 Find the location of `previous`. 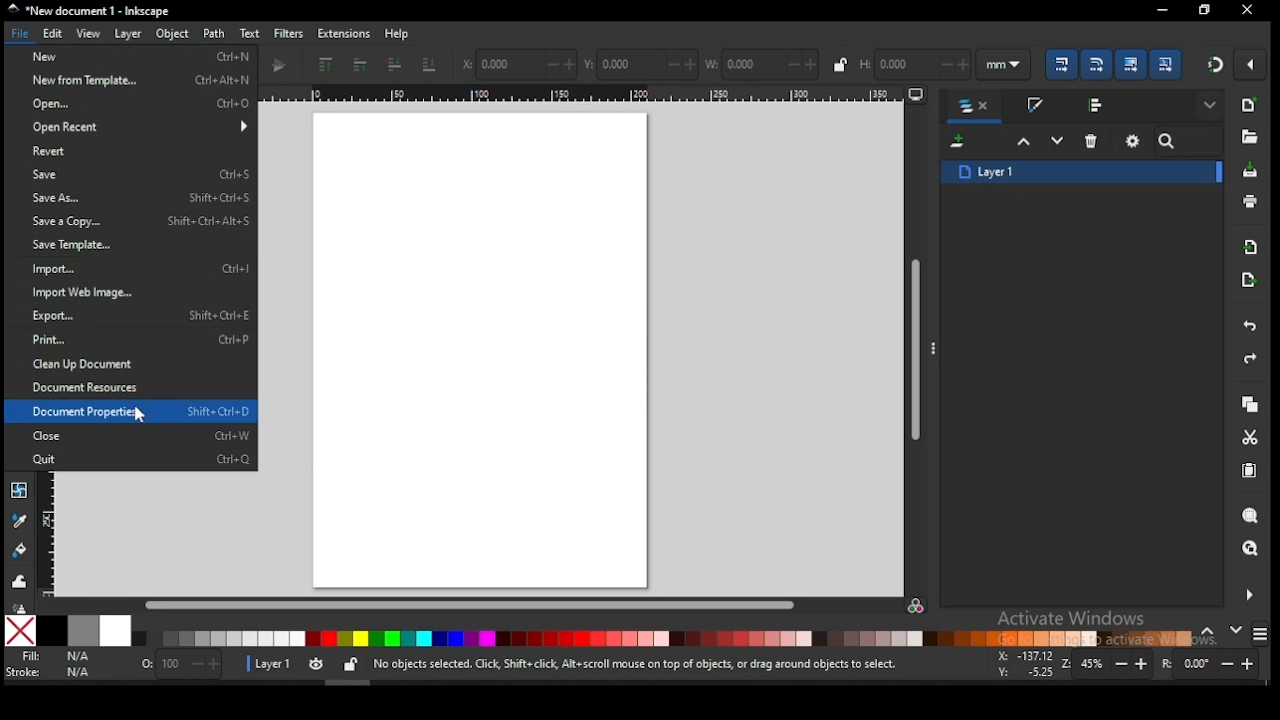

previous is located at coordinates (1211, 632).